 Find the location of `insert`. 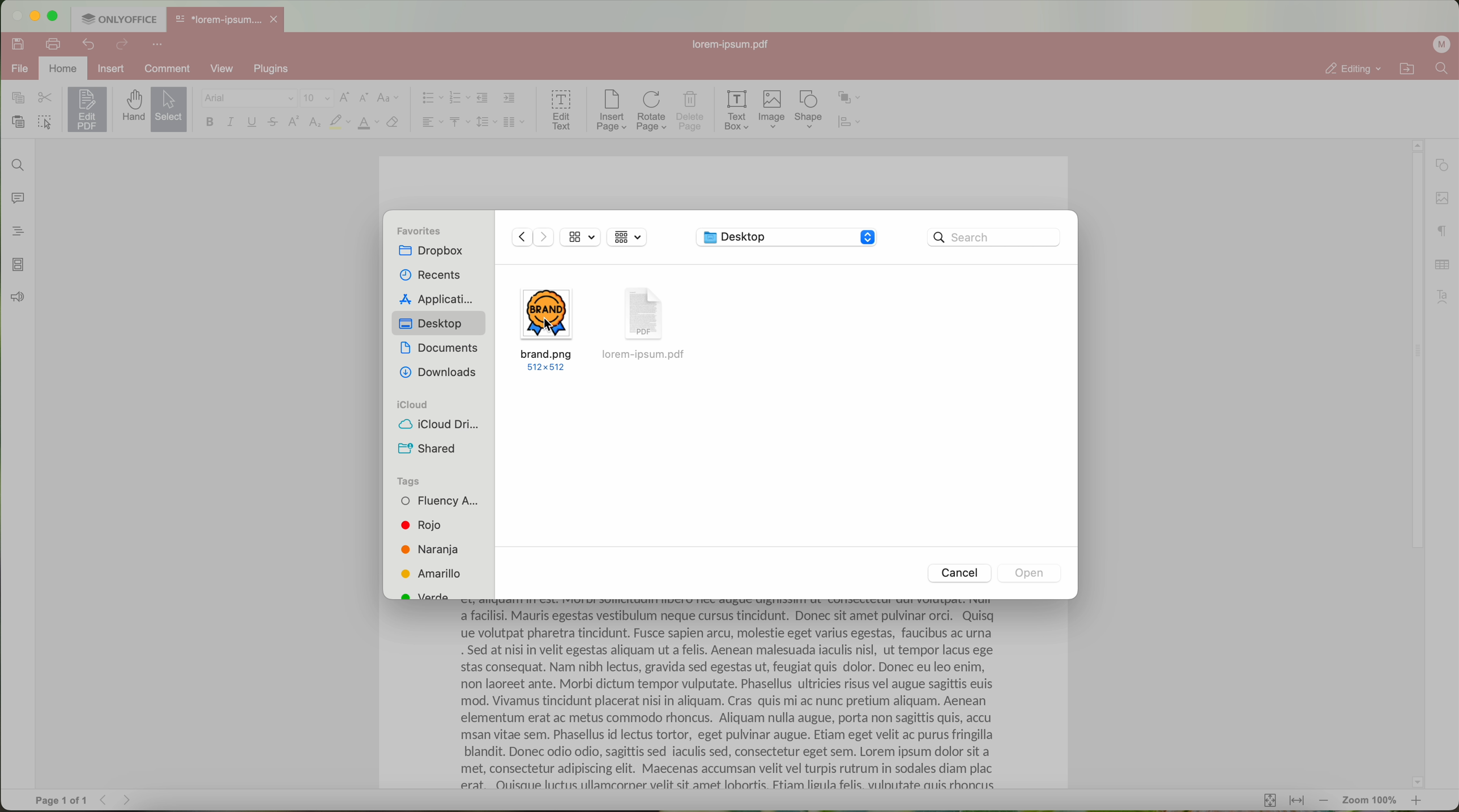

insert is located at coordinates (110, 68).